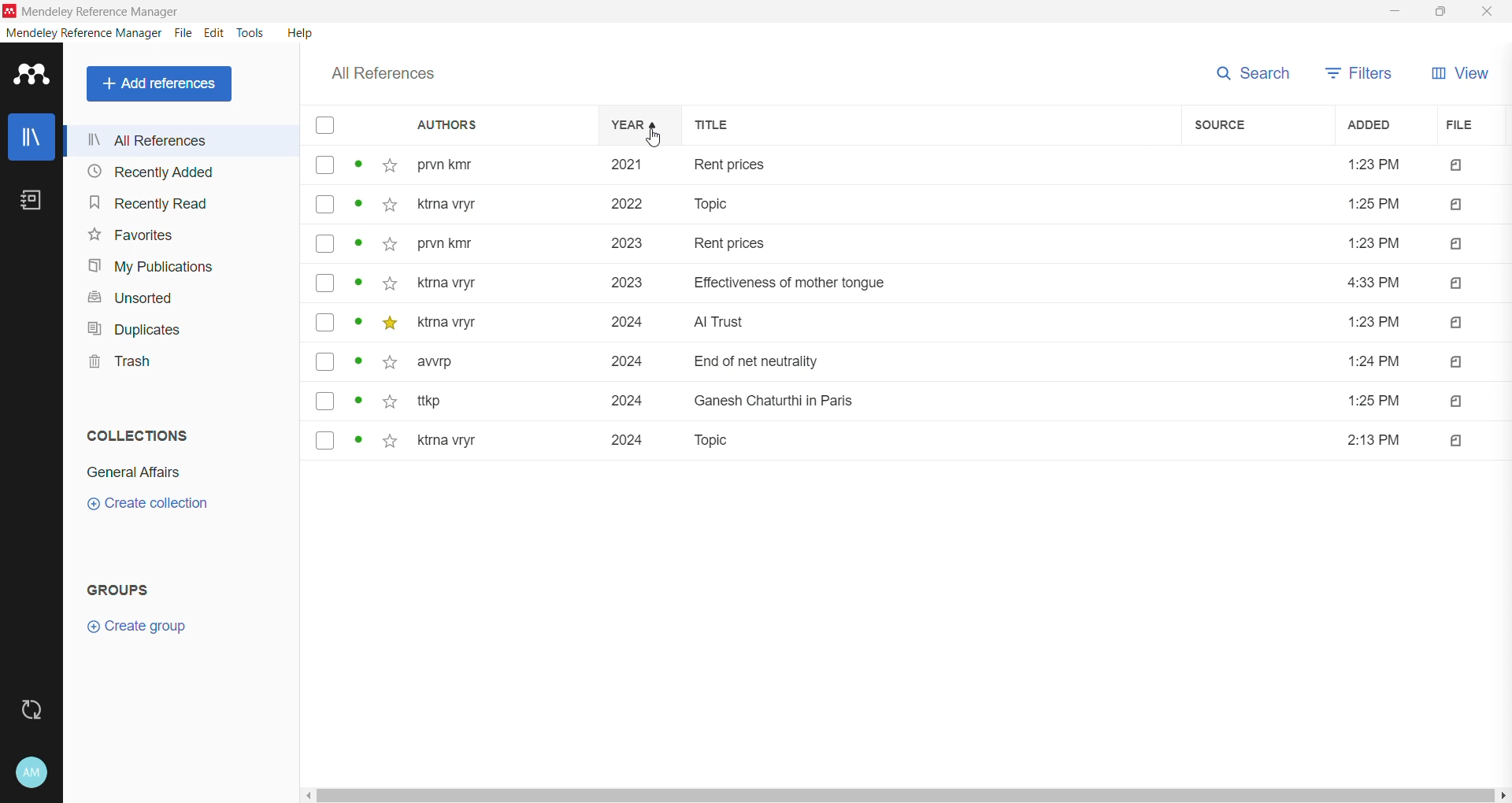 The height and width of the screenshot is (803, 1512). Describe the element at coordinates (787, 281) in the screenshot. I see `effectiveness of mother tongue` at that location.